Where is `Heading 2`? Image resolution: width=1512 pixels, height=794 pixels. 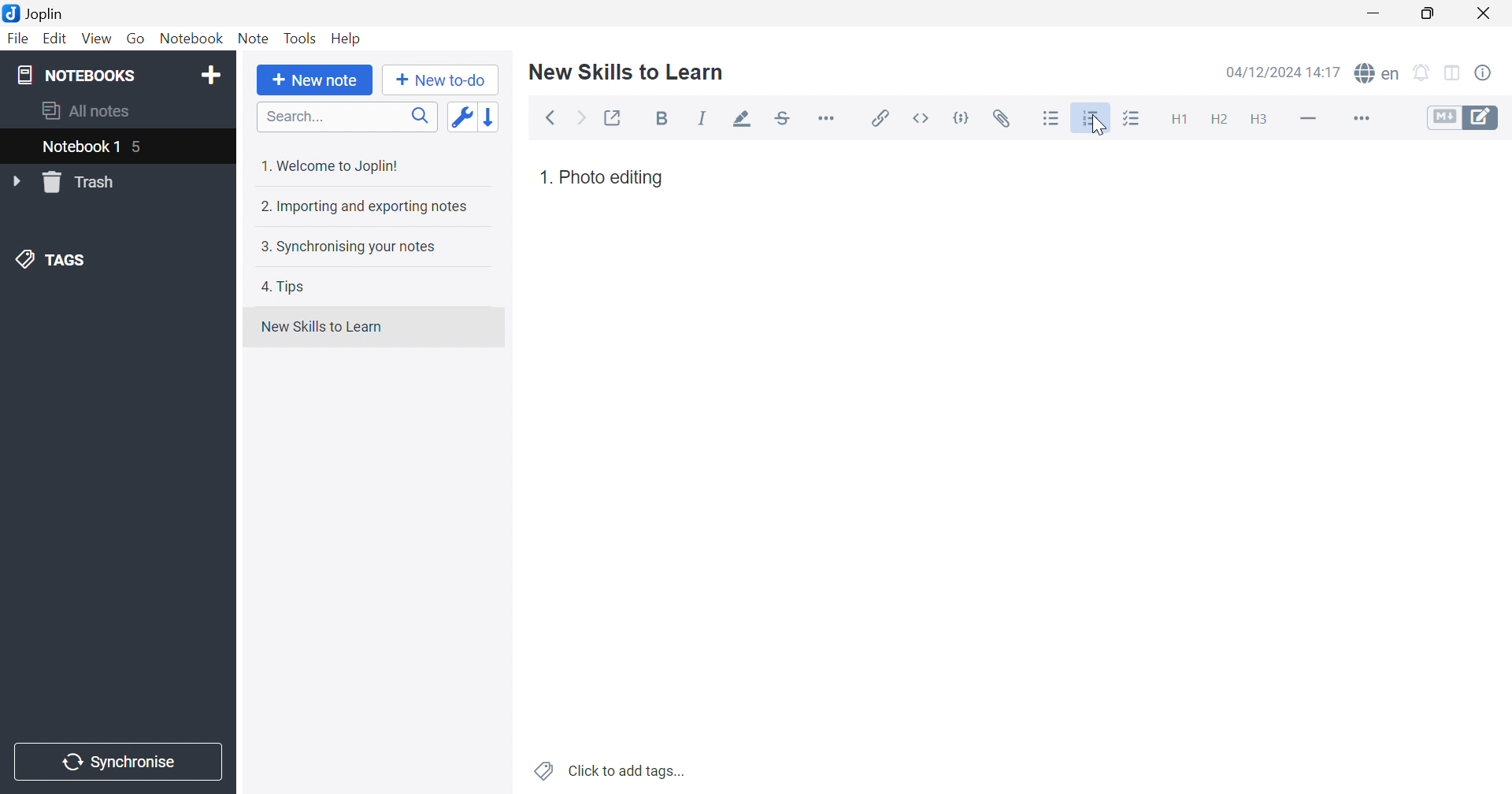 Heading 2 is located at coordinates (1219, 120).